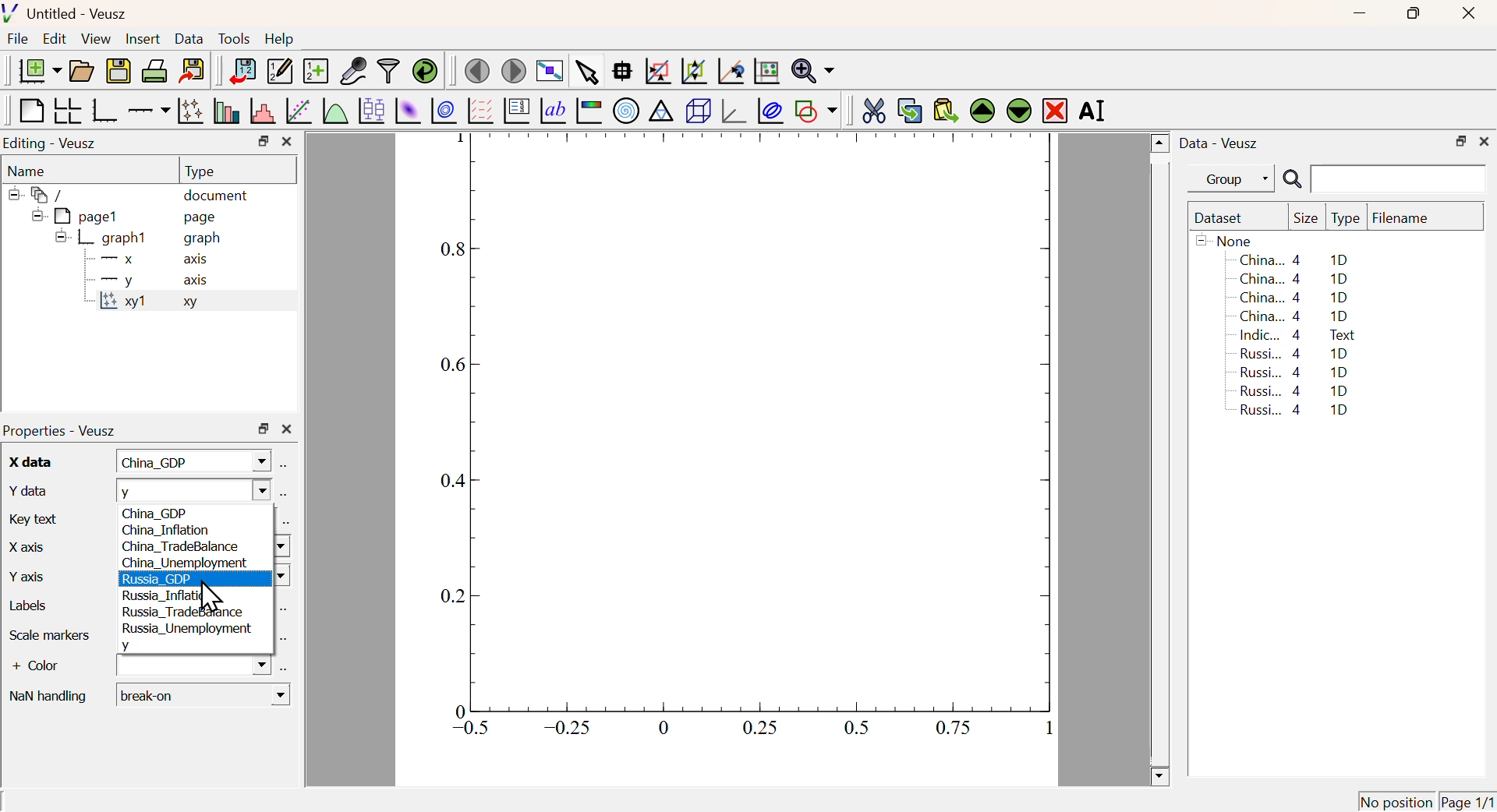  Describe the element at coordinates (66, 110) in the screenshot. I see `Arrange graph in grid` at that location.